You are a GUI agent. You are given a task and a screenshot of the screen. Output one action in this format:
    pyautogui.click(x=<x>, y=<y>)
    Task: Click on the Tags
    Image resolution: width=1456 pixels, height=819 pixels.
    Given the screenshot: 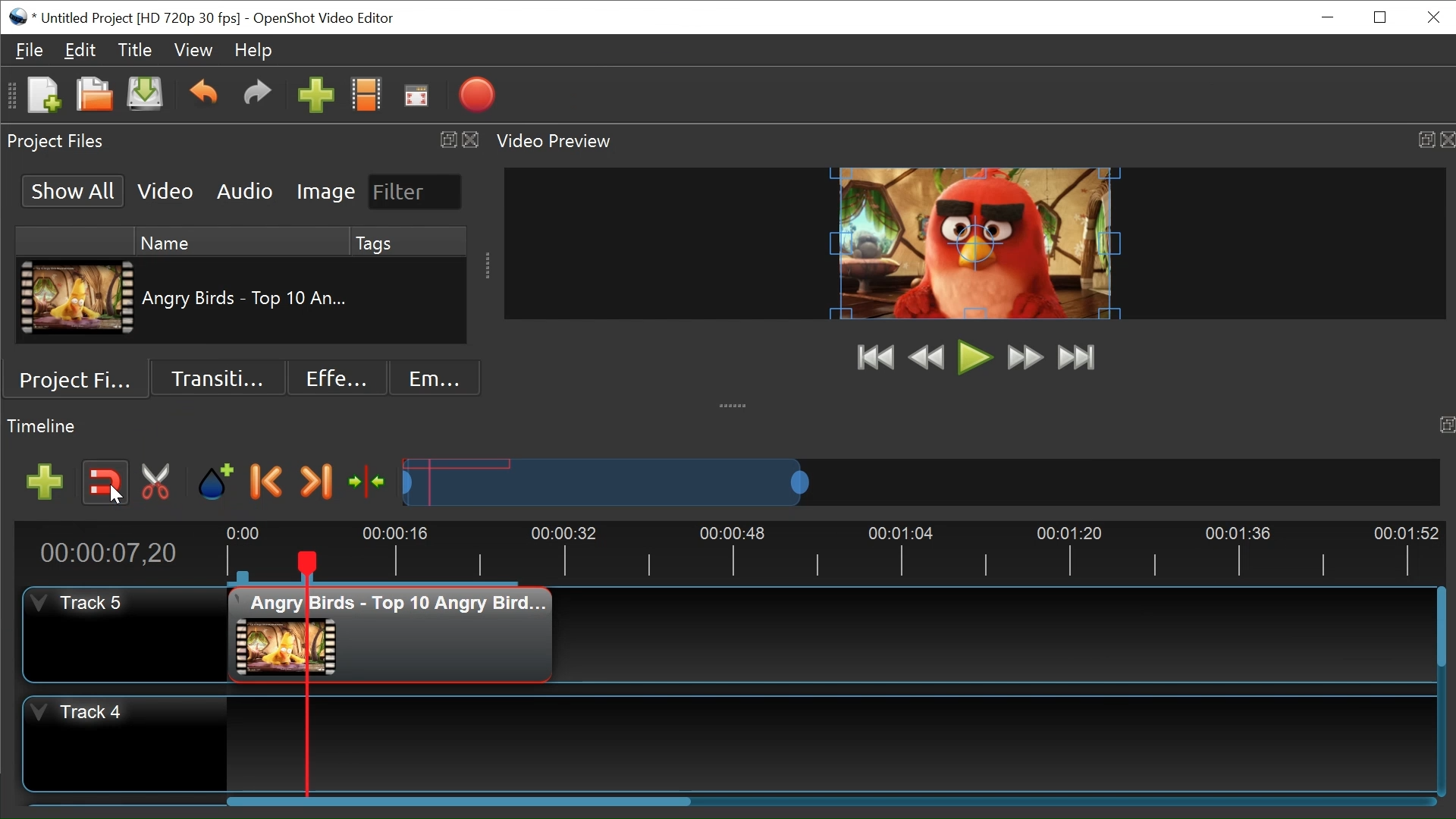 What is the action you would take?
    pyautogui.click(x=370, y=240)
    